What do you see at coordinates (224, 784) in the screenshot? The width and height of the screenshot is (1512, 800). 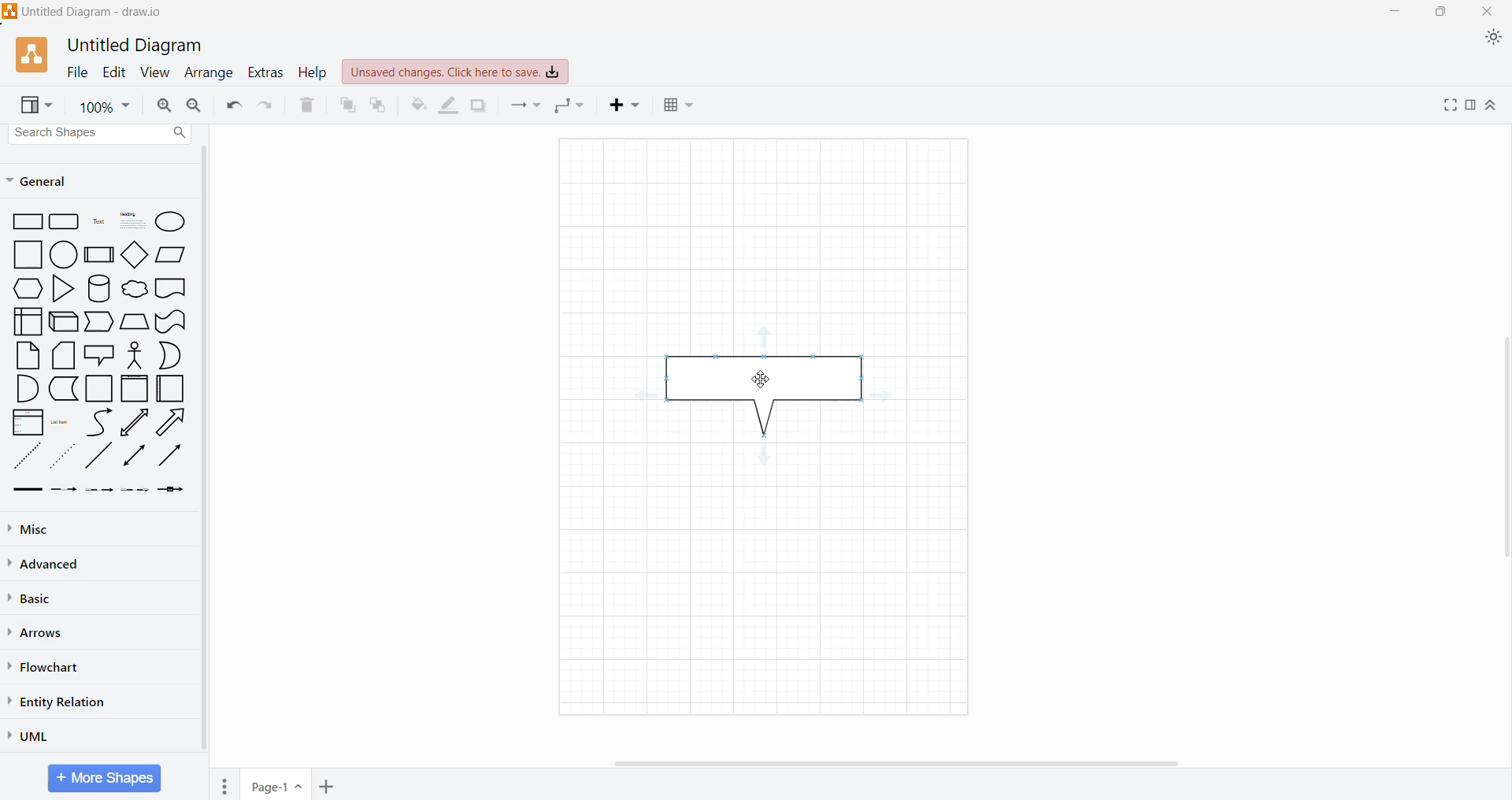 I see `Pages` at bounding box center [224, 784].